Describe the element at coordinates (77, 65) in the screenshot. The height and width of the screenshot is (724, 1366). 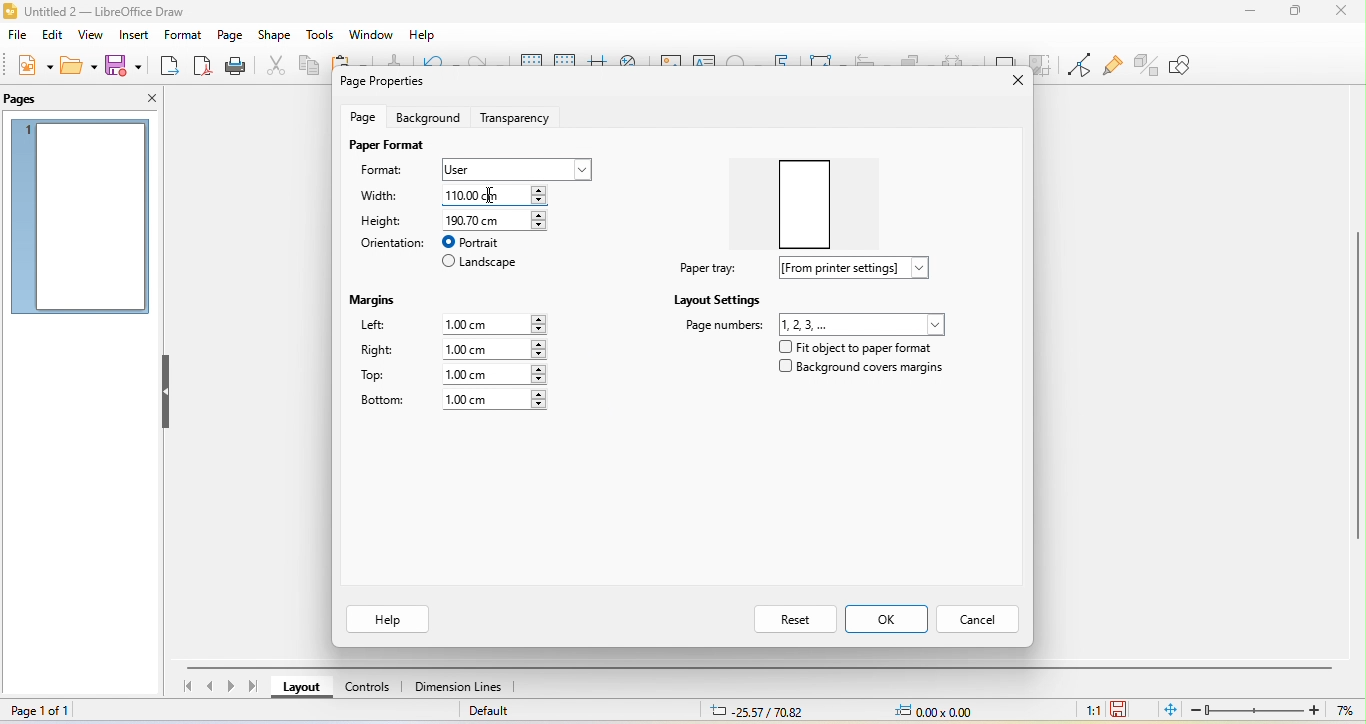
I see `open` at that location.